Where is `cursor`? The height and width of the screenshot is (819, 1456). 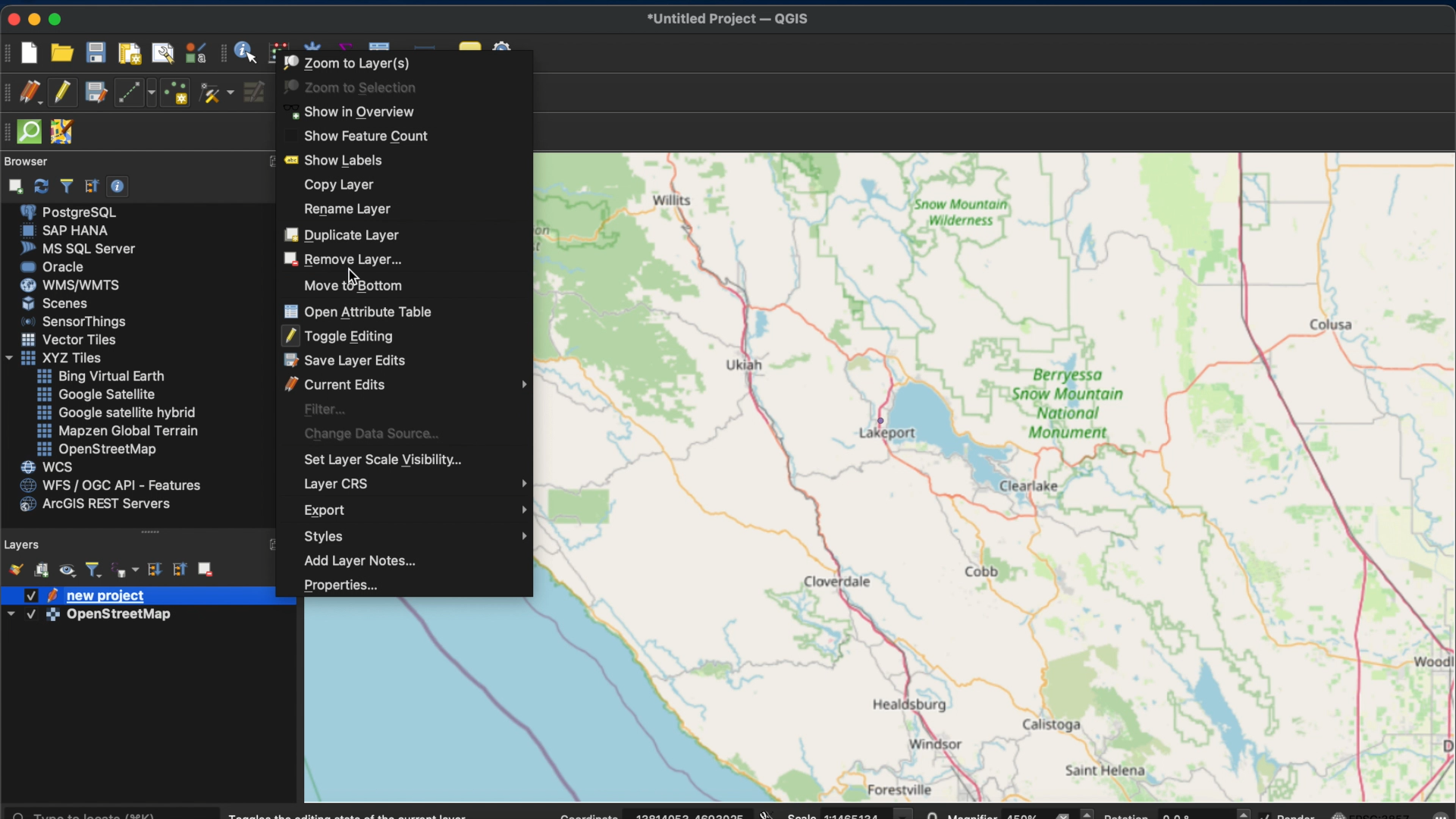
cursor is located at coordinates (350, 275).